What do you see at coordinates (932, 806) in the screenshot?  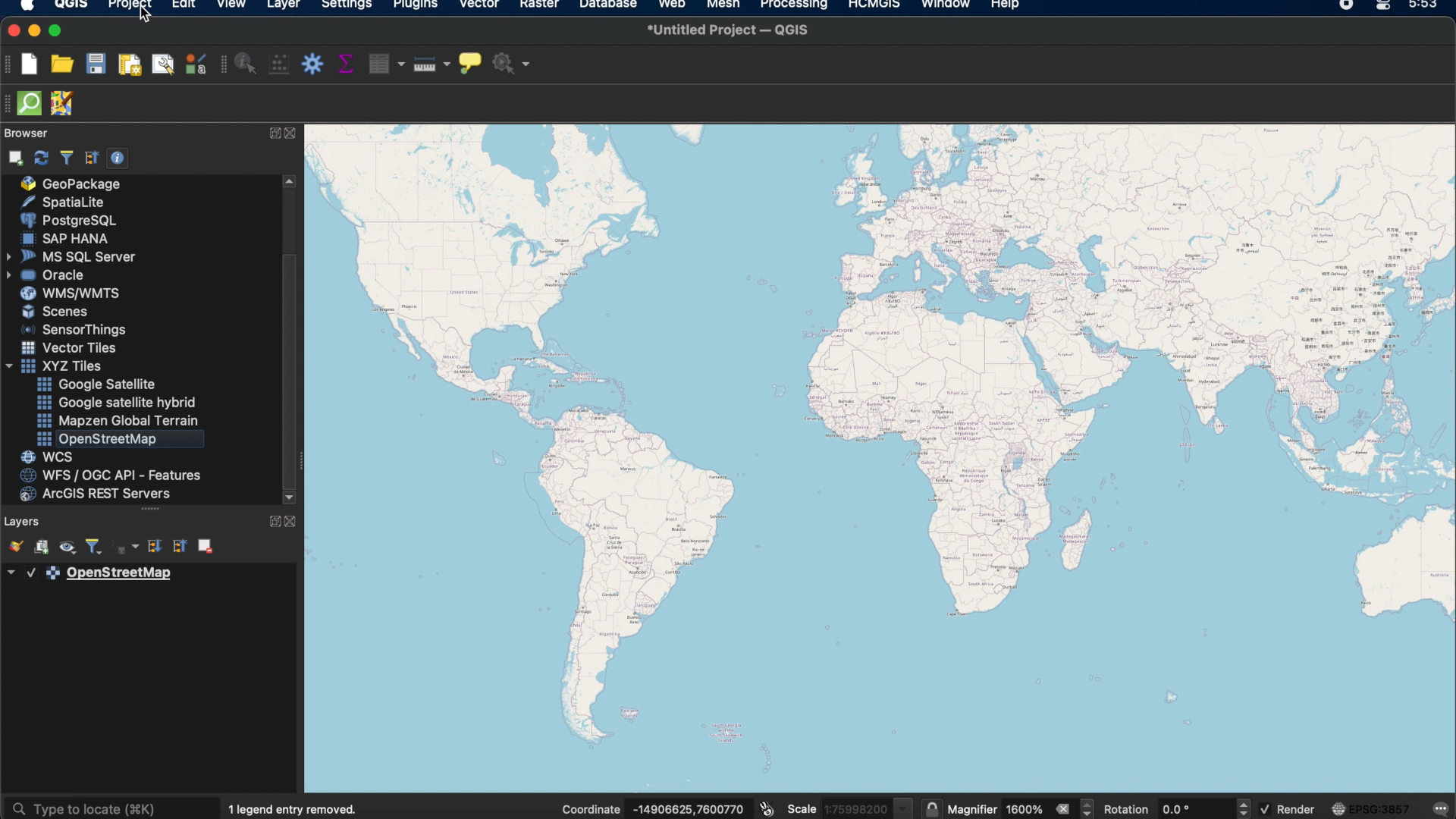 I see `lock scale` at bounding box center [932, 806].